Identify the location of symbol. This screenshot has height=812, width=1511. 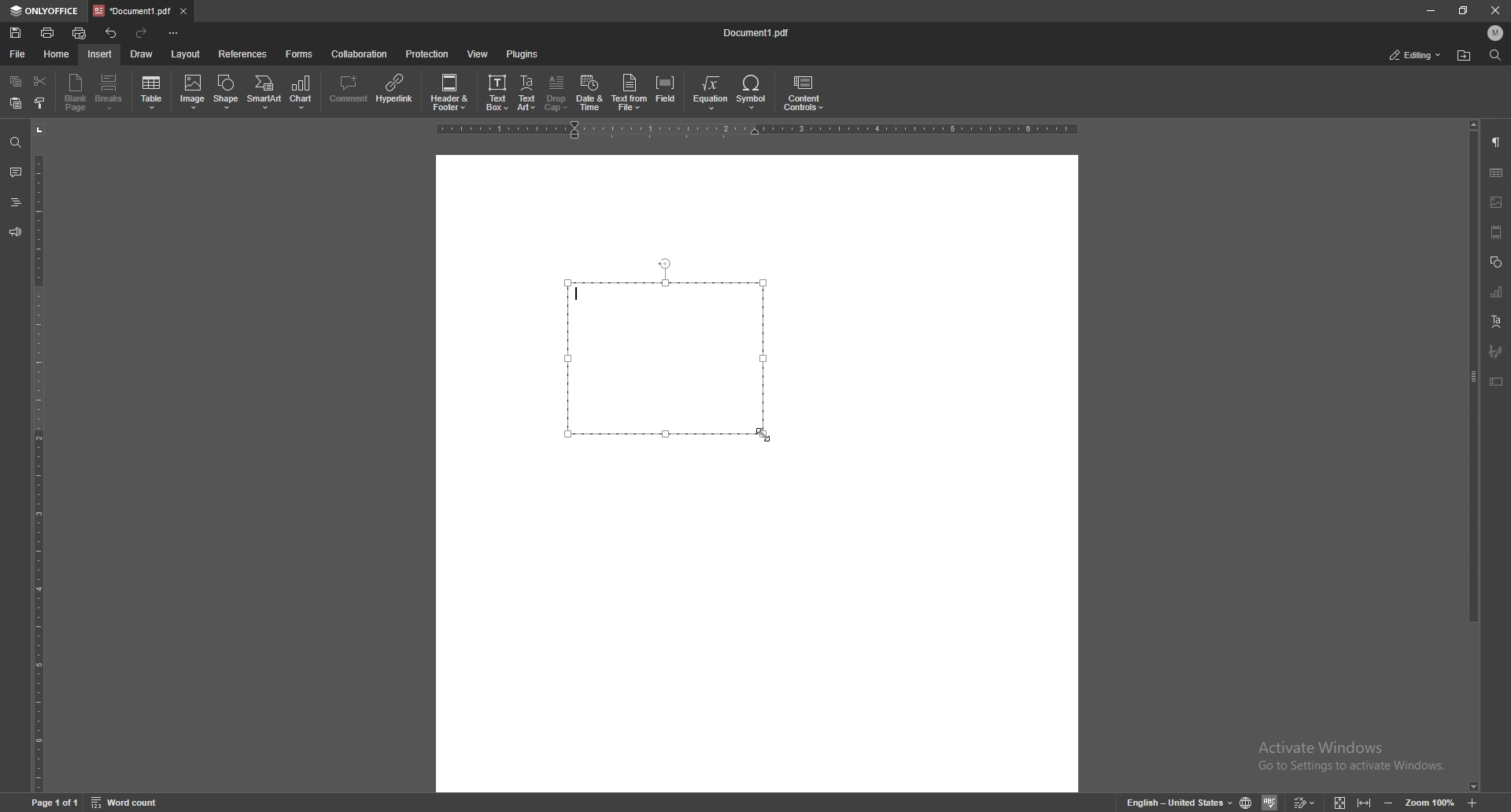
(753, 93).